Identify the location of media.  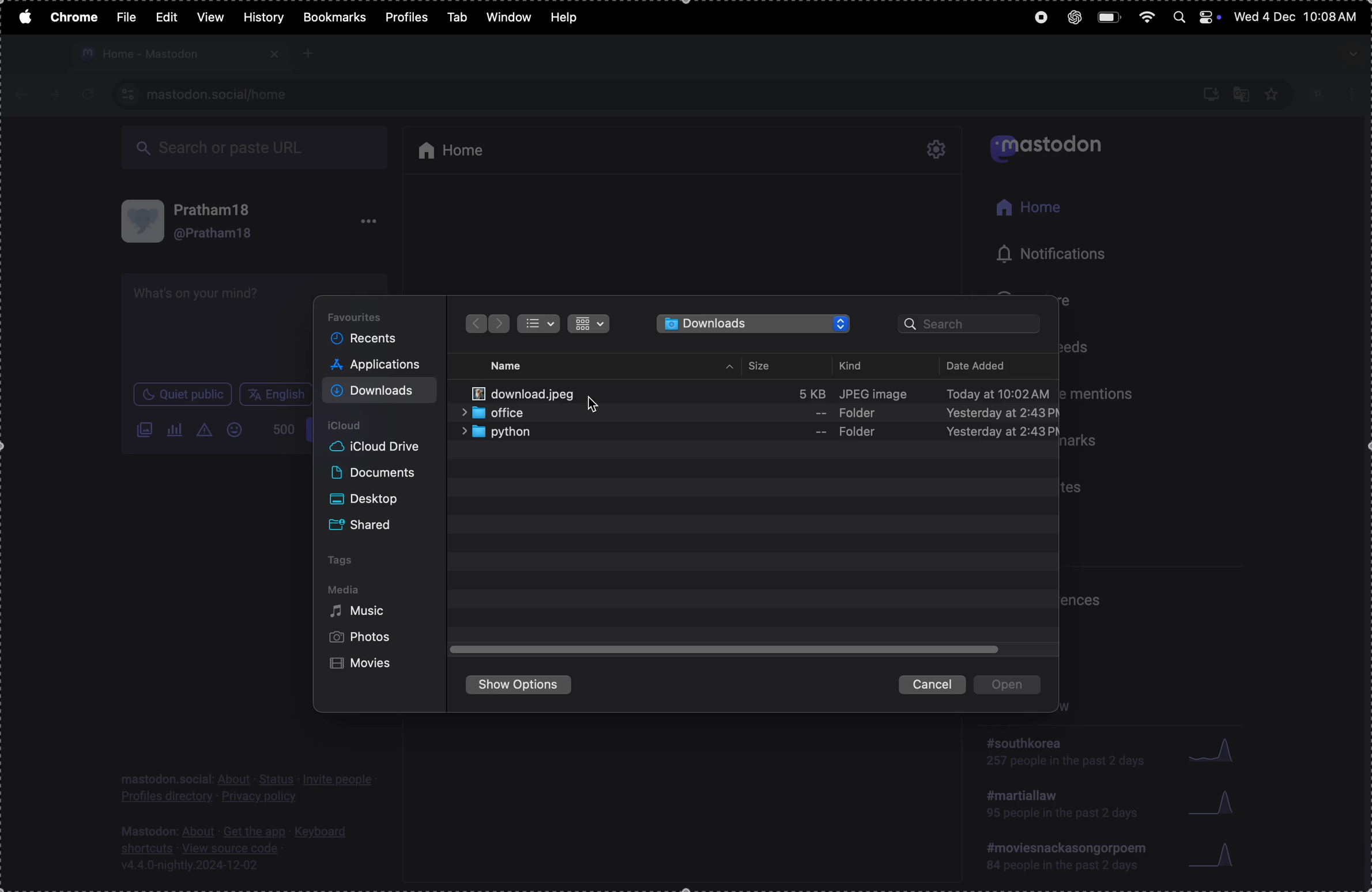
(345, 589).